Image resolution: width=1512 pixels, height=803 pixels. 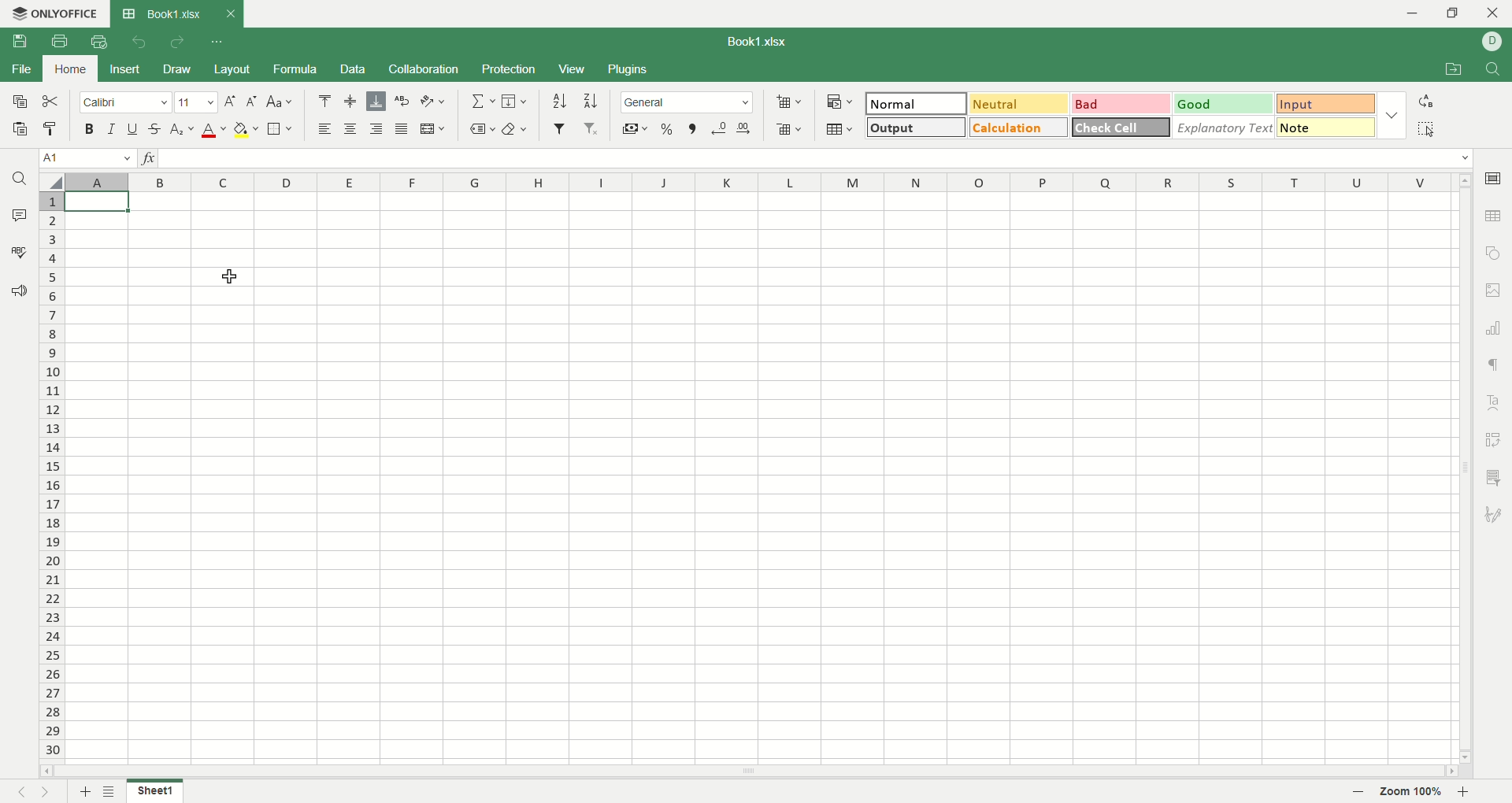 What do you see at coordinates (1395, 113) in the screenshot?
I see `options` at bounding box center [1395, 113].